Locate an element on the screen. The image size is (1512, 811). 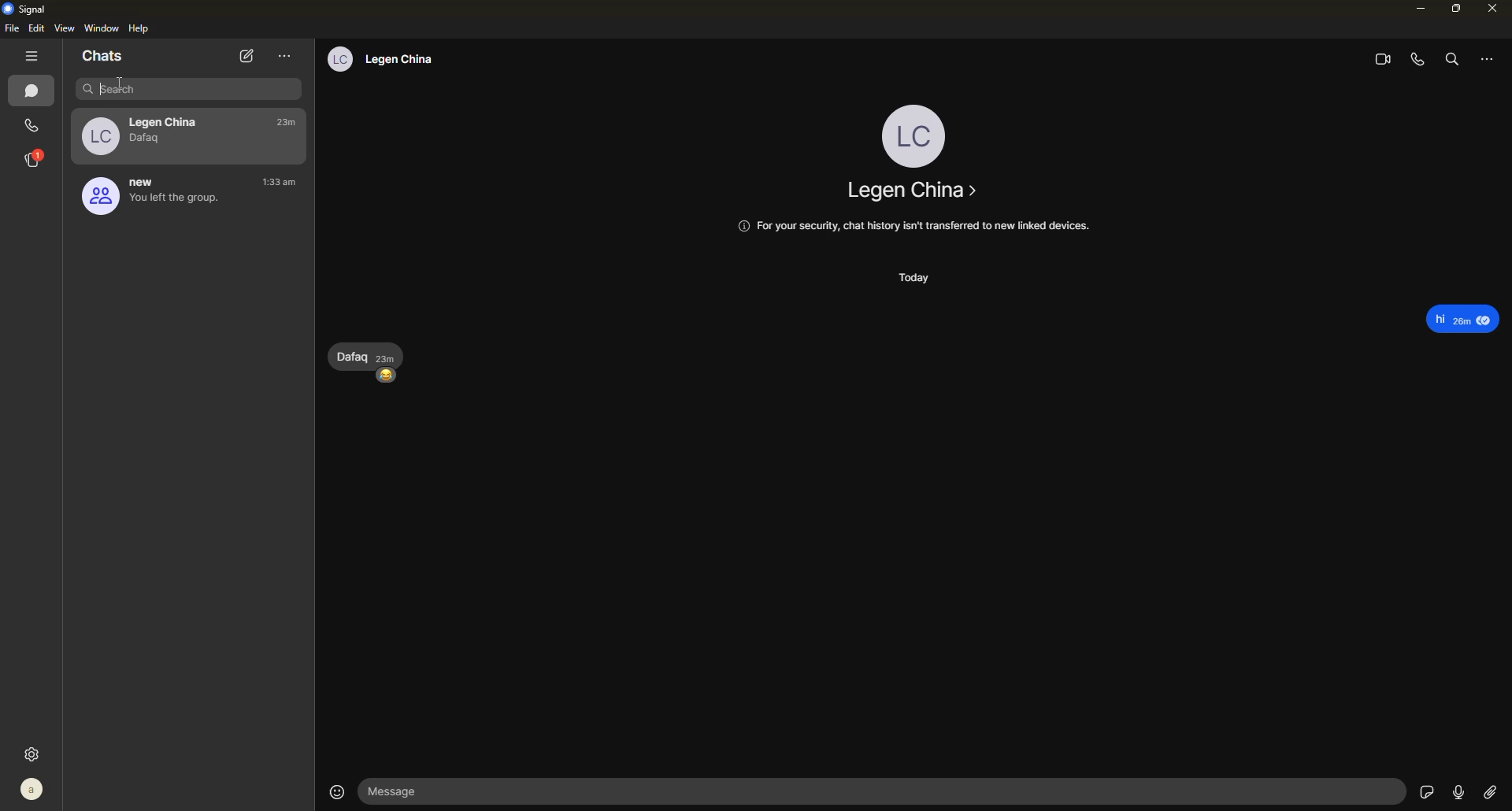
view is located at coordinates (64, 28).